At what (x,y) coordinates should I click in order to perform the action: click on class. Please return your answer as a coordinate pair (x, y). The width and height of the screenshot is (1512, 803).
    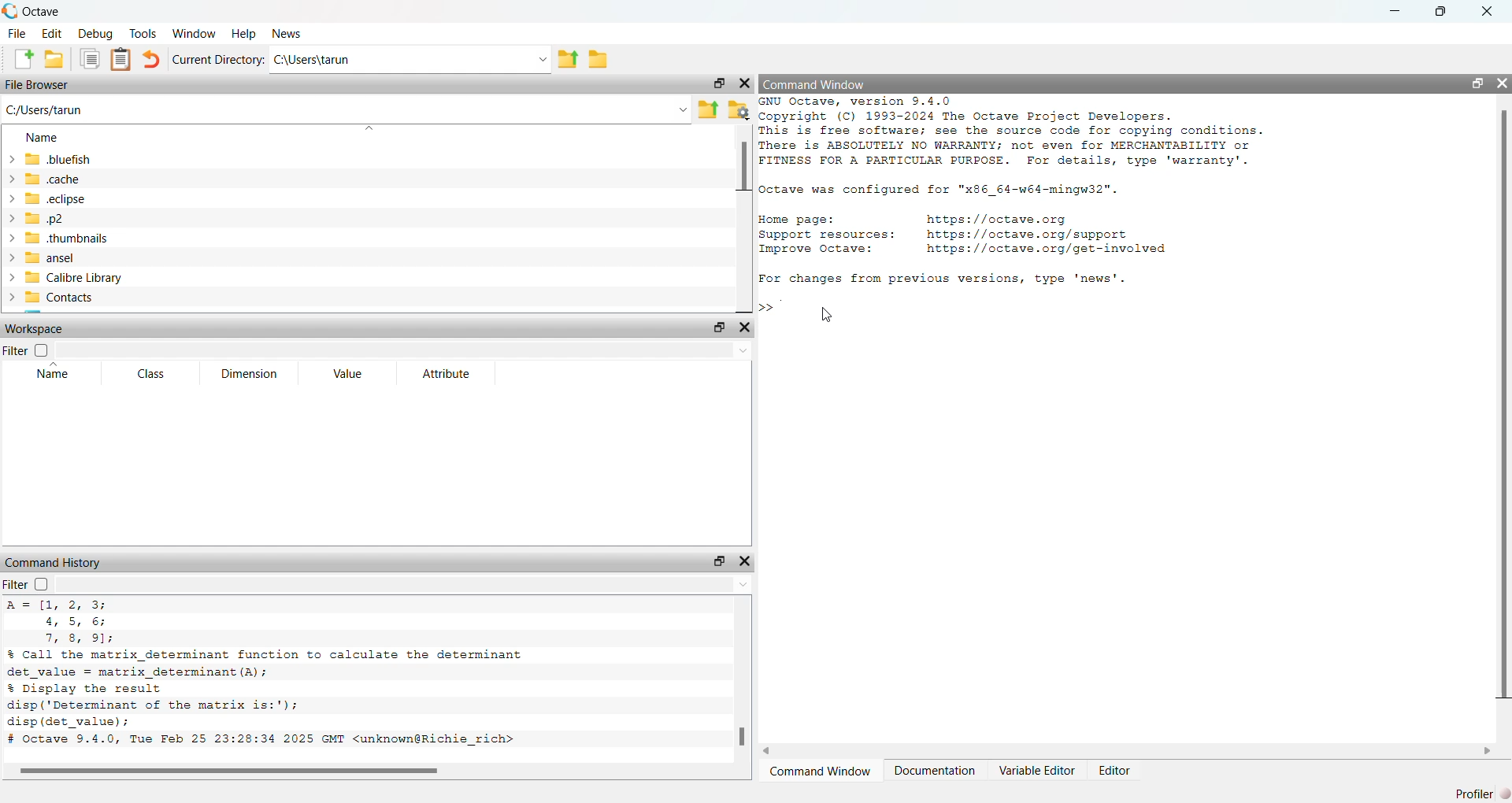
    Looking at the image, I should click on (155, 376).